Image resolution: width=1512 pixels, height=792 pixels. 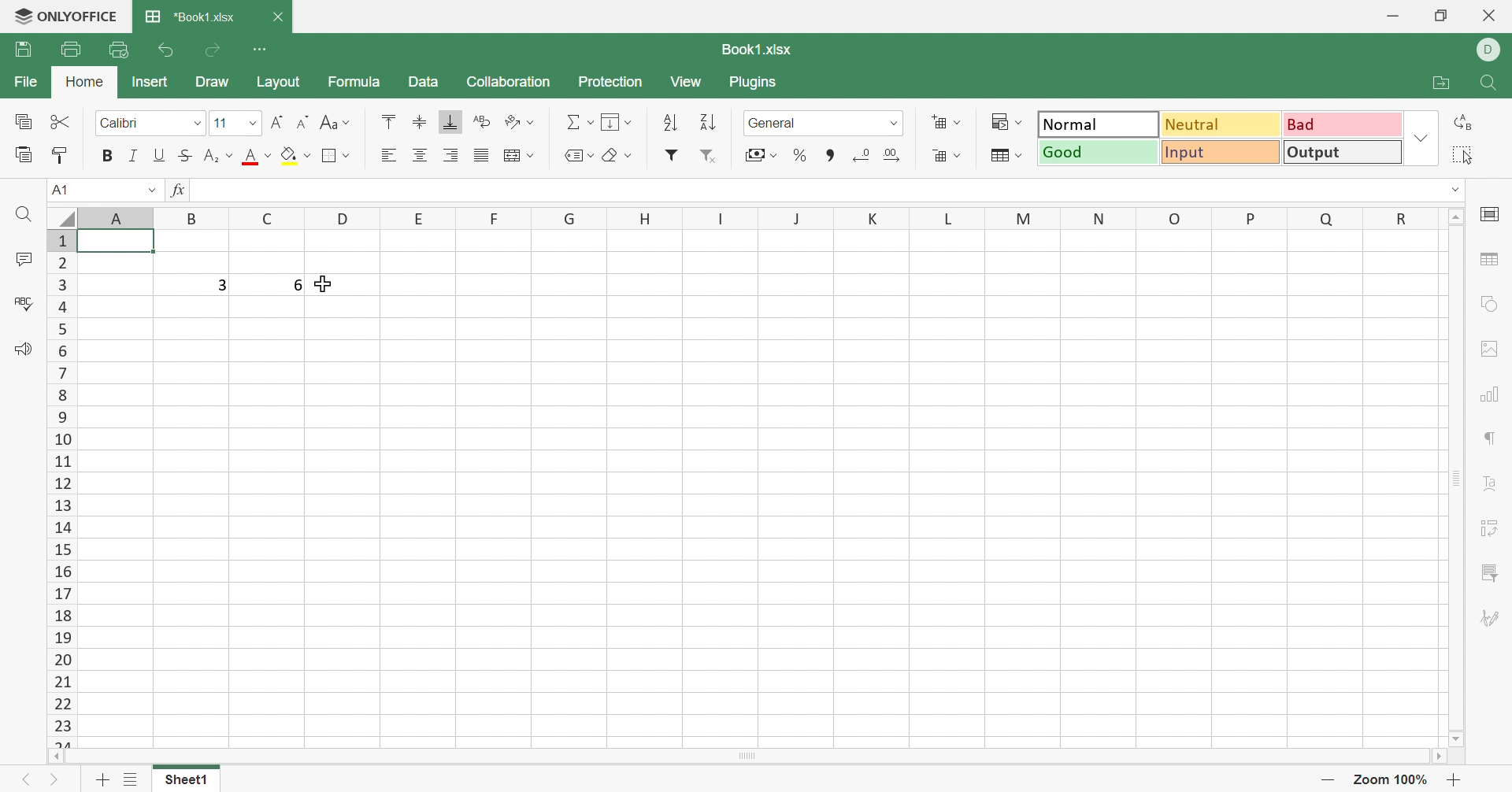 What do you see at coordinates (188, 156) in the screenshot?
I see `Strikethrough` at bounding box center [188, 156].